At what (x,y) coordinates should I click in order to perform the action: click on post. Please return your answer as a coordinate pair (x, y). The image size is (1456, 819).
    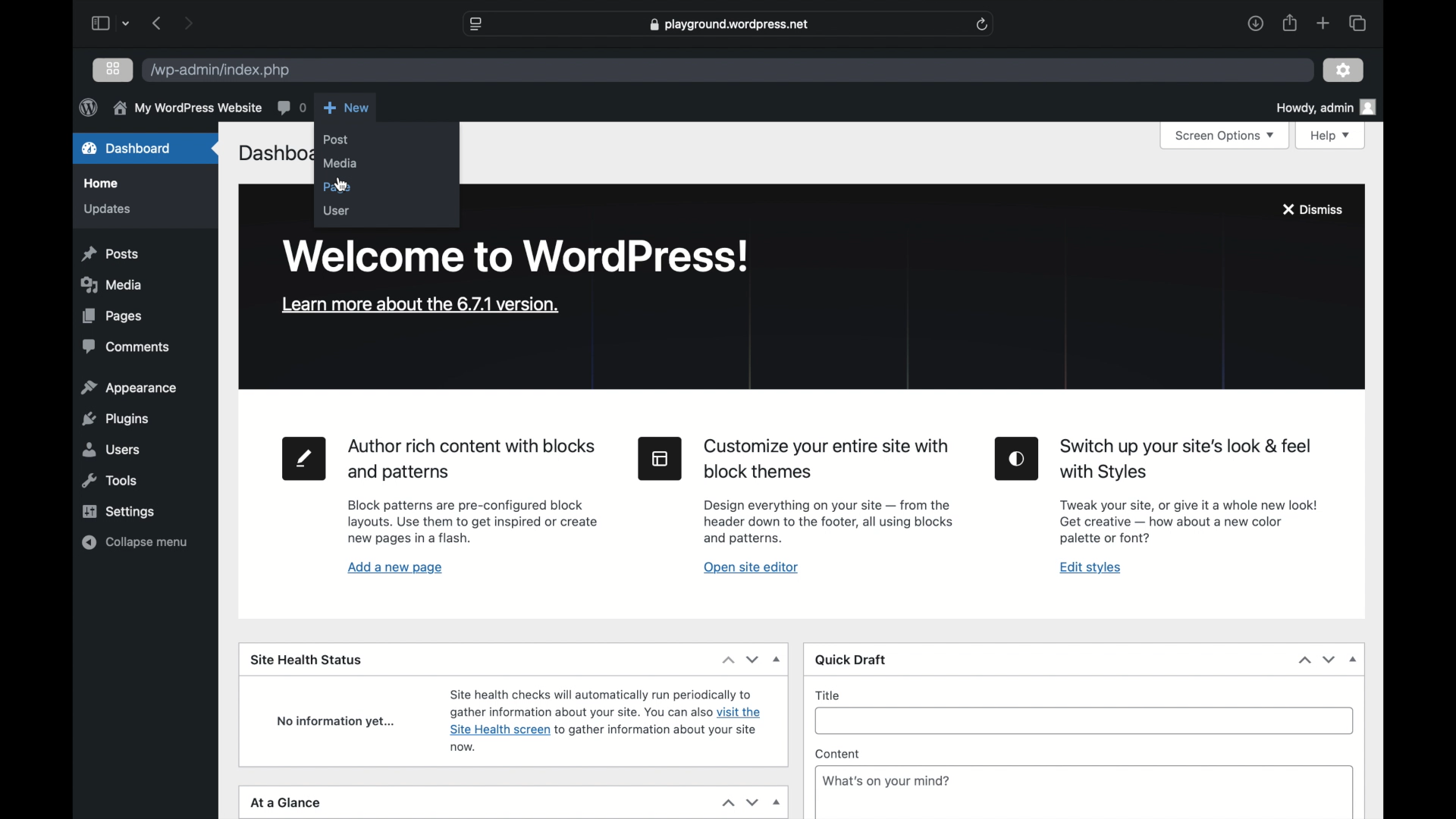
    Looking at the image, I should click on (336, 140).